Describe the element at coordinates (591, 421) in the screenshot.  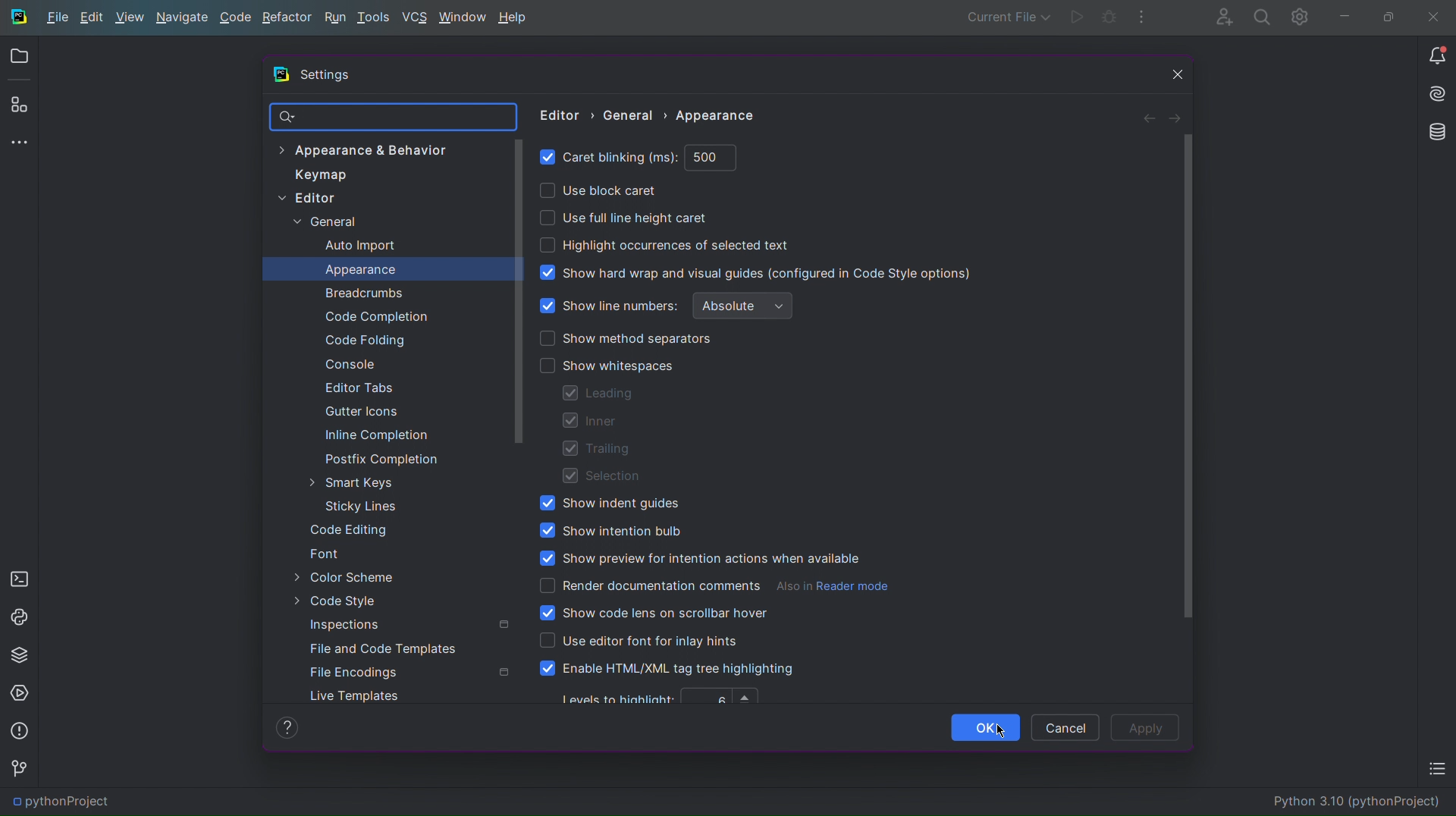
I see `Inner` at that location.